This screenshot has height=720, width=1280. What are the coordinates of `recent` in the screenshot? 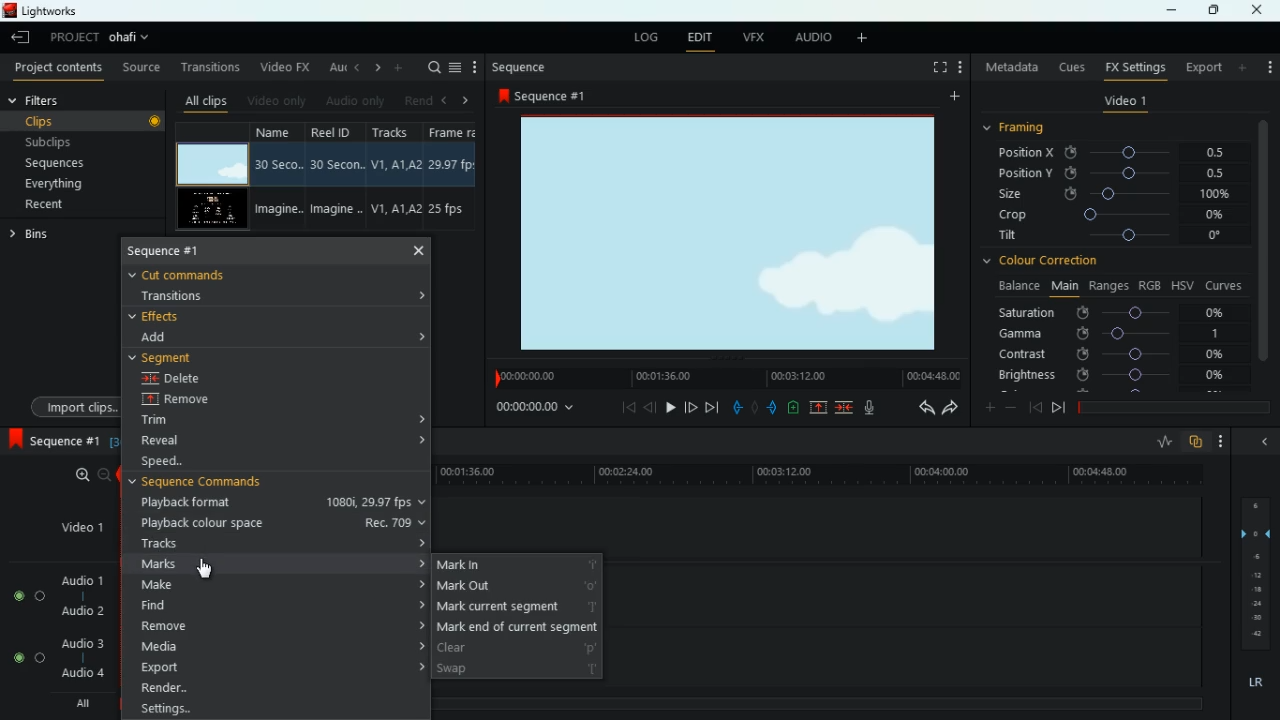 It's located at (47, 206).